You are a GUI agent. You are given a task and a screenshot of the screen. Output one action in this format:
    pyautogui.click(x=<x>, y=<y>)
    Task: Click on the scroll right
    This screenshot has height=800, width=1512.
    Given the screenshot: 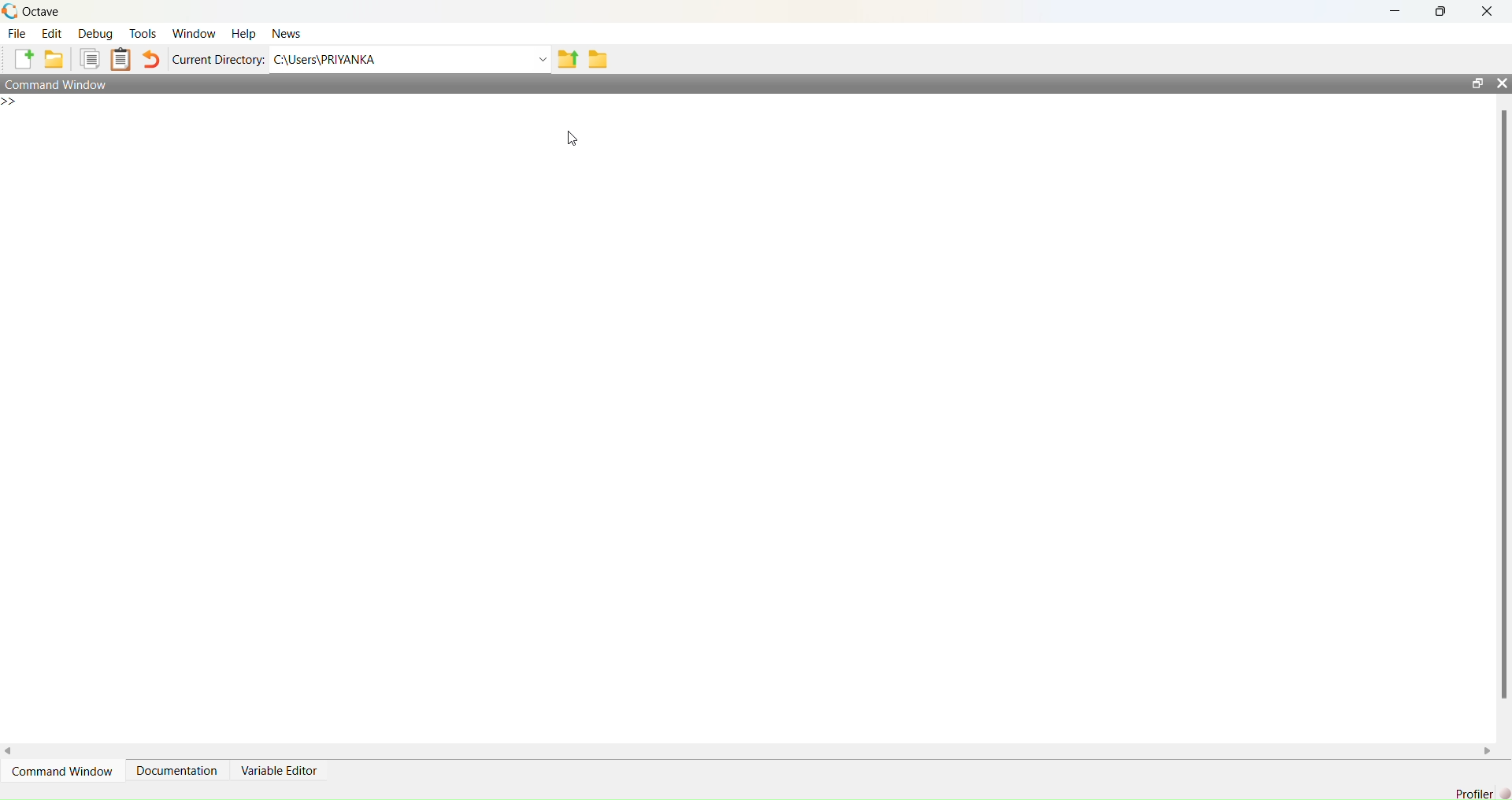 What is the action you would take?
    pyautogui.click(x=1488, y=751)
    